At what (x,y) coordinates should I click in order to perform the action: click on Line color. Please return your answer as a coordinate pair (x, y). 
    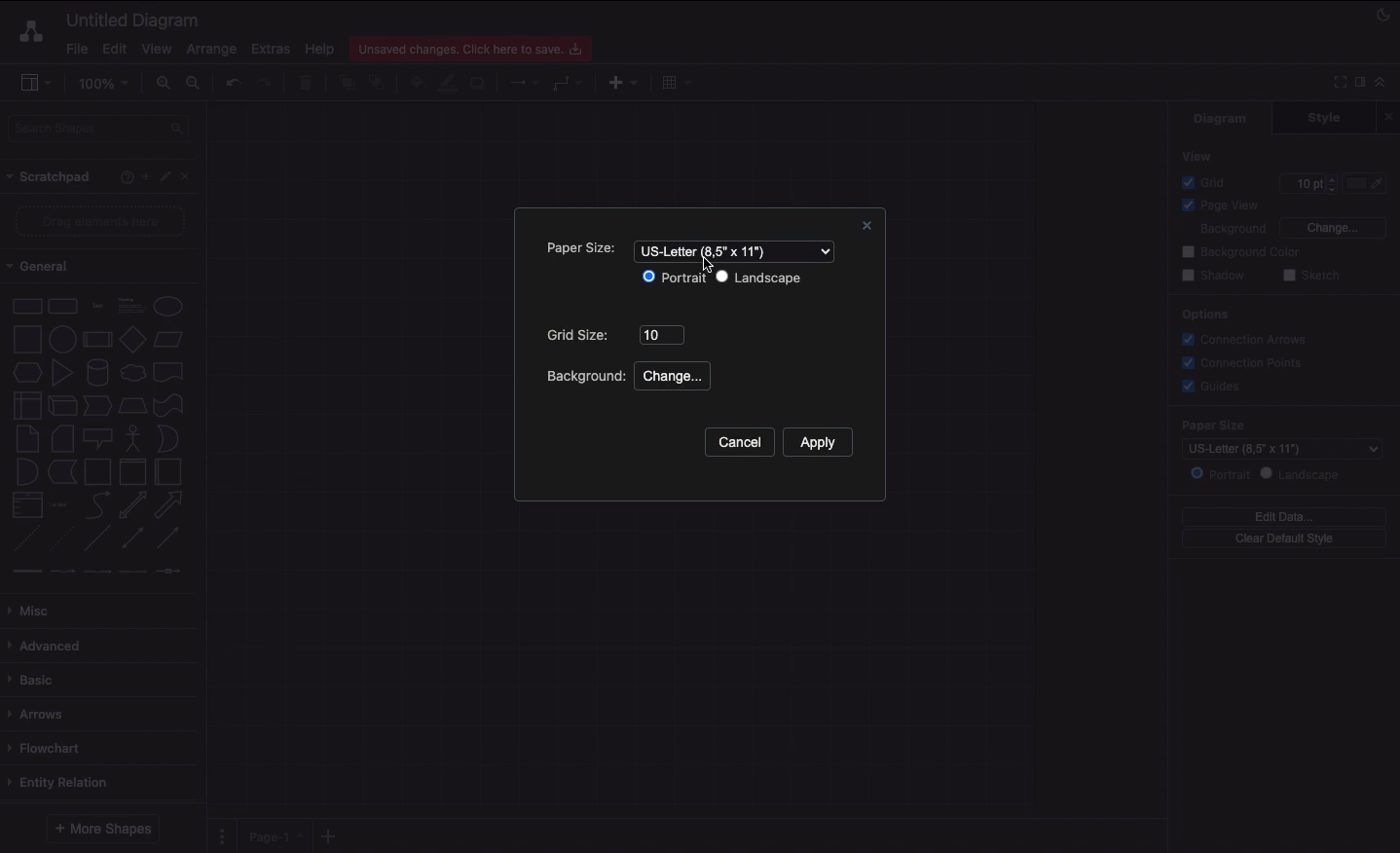
    Looking at the image, I should click on (447, 81).